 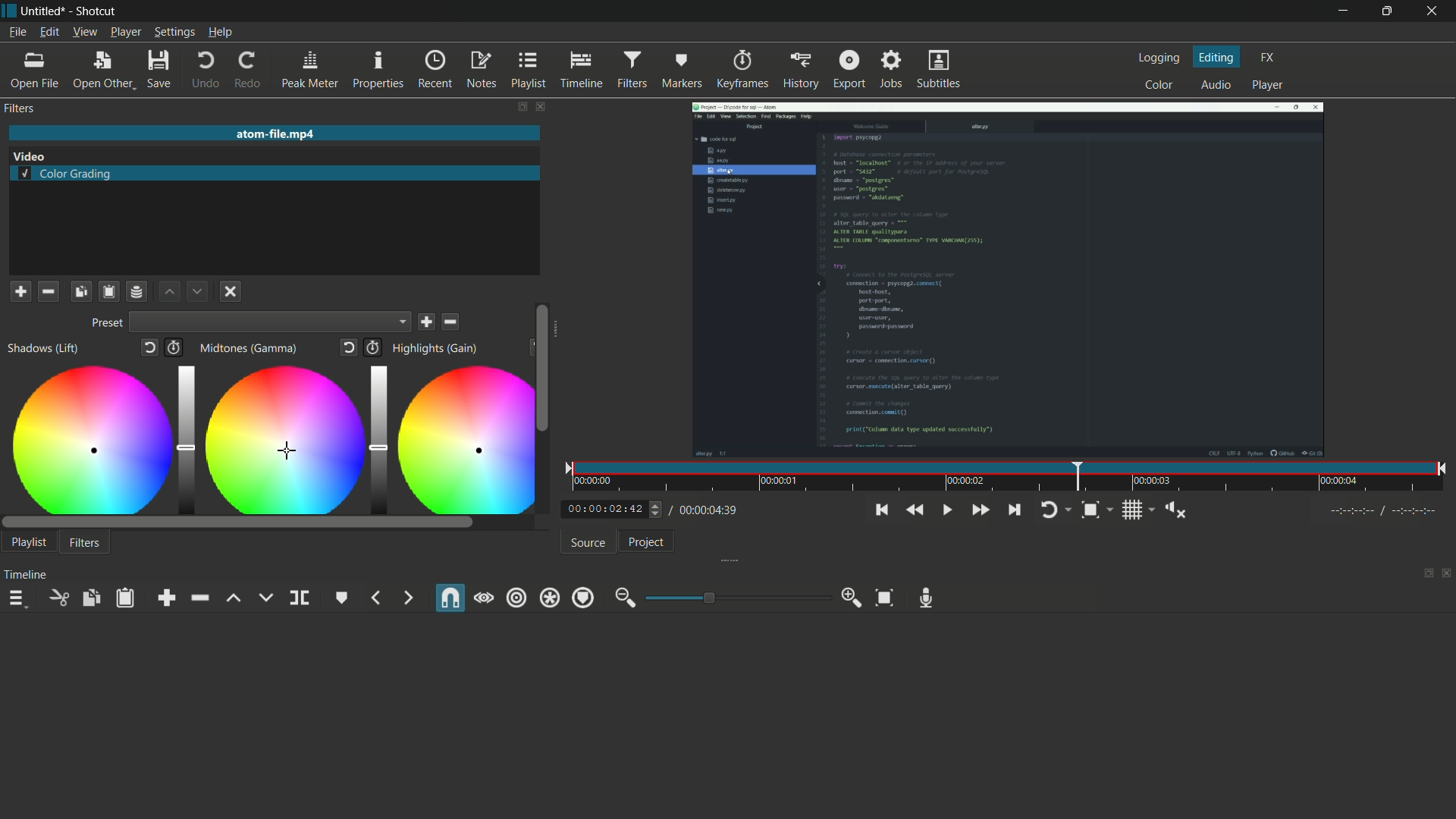 I want to click on Add, so click(x=20, y=290).